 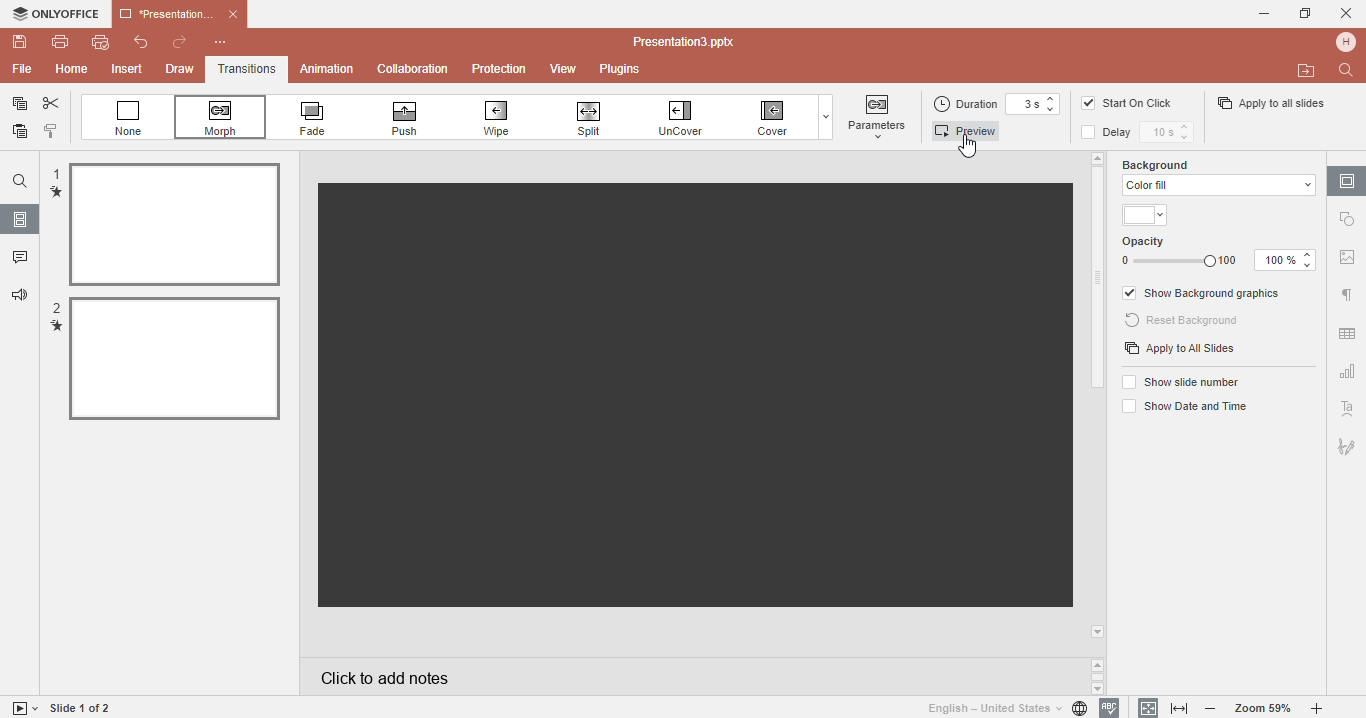 I want to click on Signature setting, so click(x=1346, y=443).